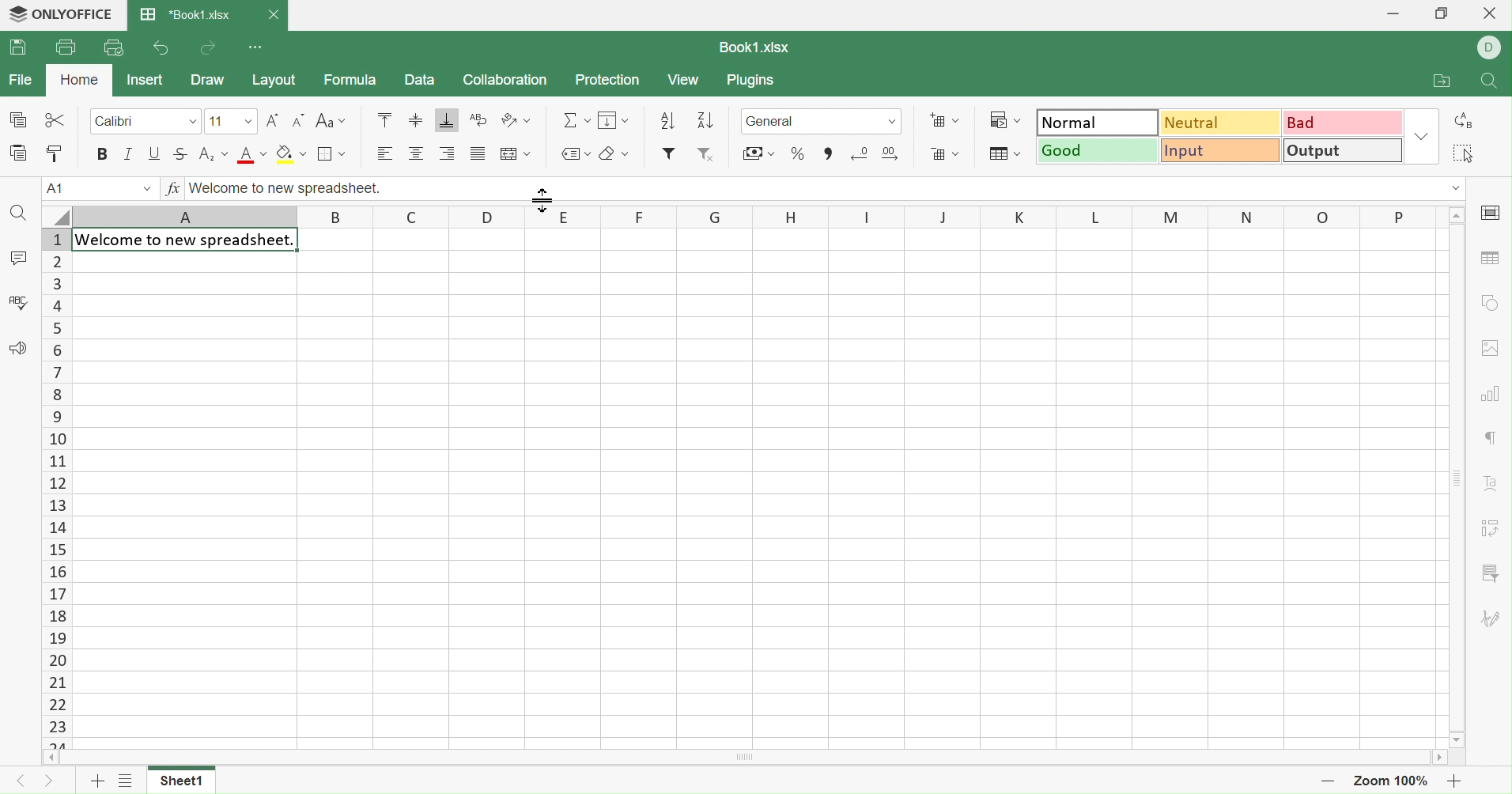 The width and height of the screenshot is (1512, 794). I want to click on Column Names, so click(732, 216).